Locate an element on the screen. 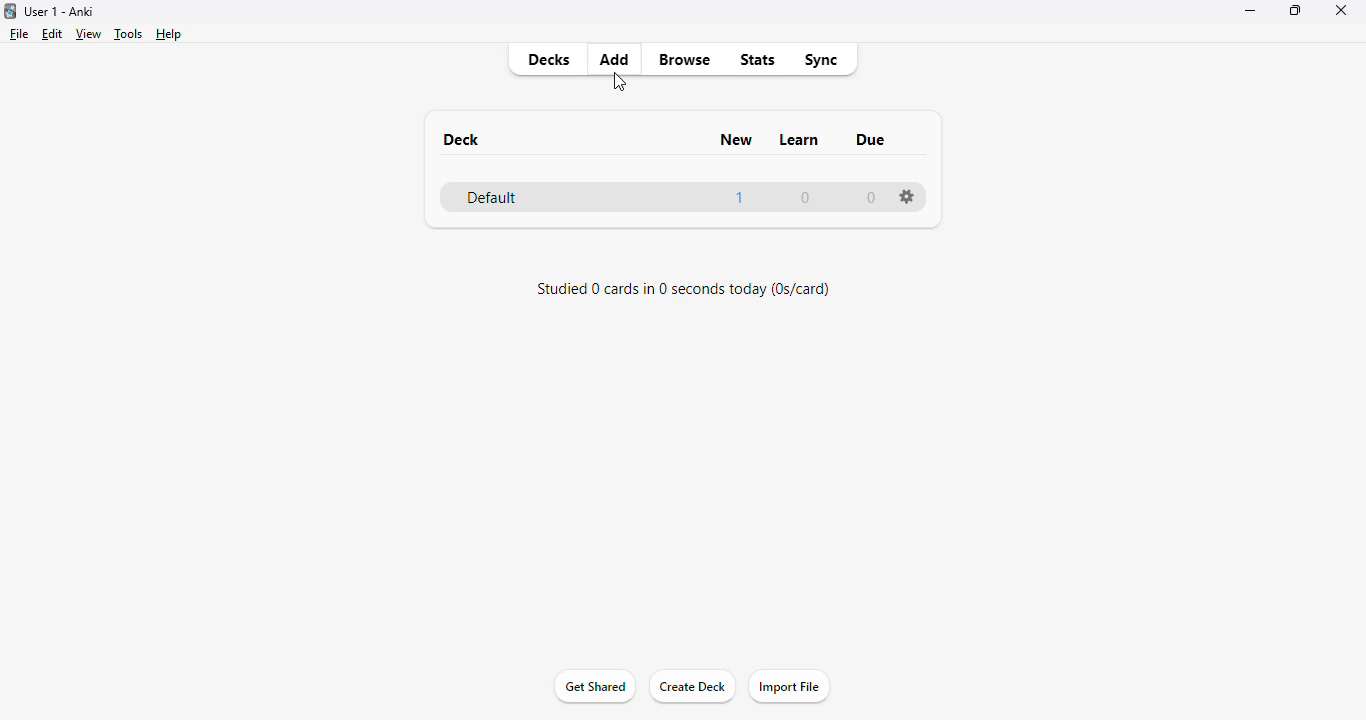 This screenshot has height=720, width=1366. maximize is located at coordinates (1296, 10).